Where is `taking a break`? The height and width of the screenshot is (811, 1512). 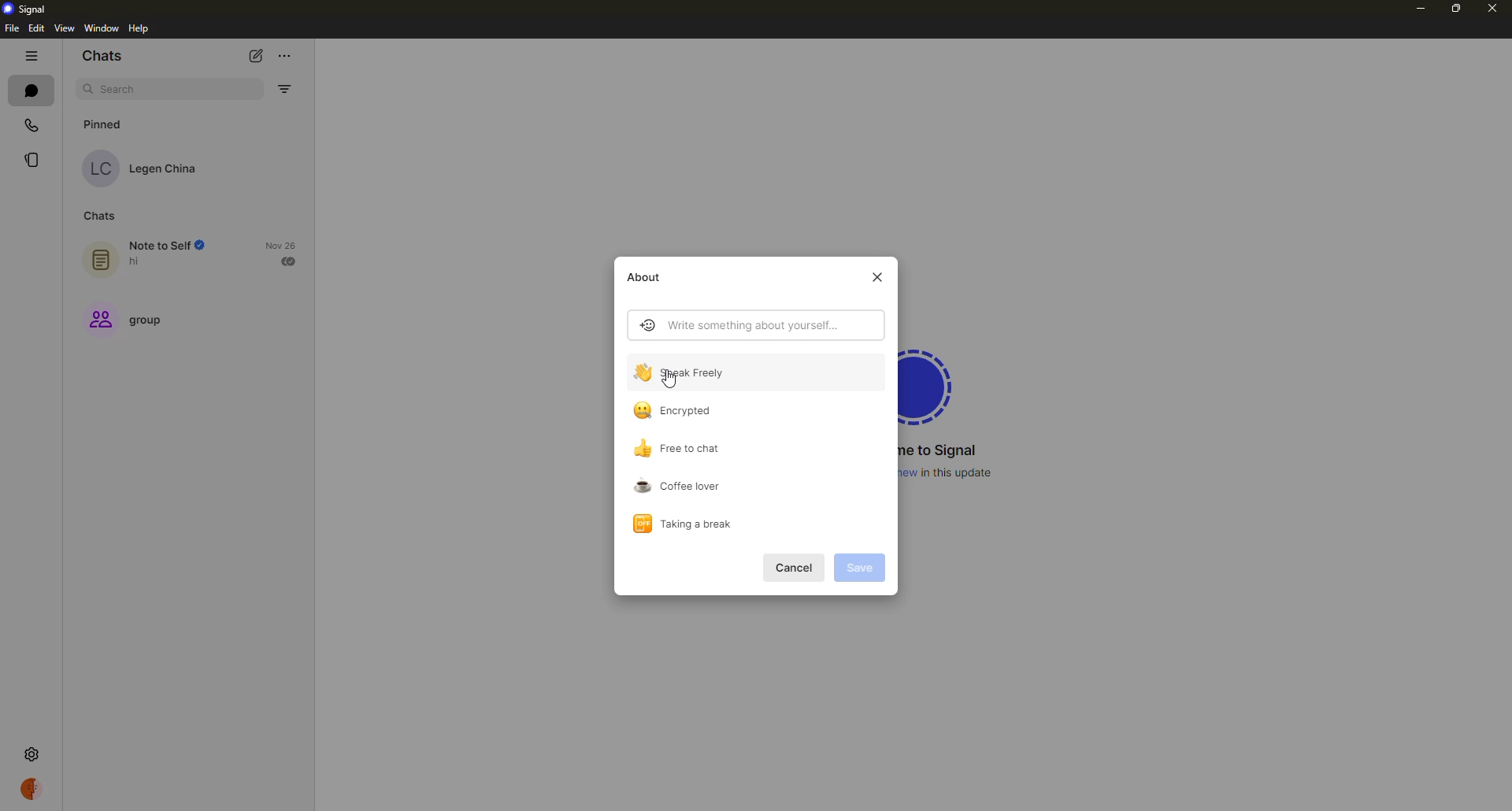
taking a break is located at coordinates (682, 521).